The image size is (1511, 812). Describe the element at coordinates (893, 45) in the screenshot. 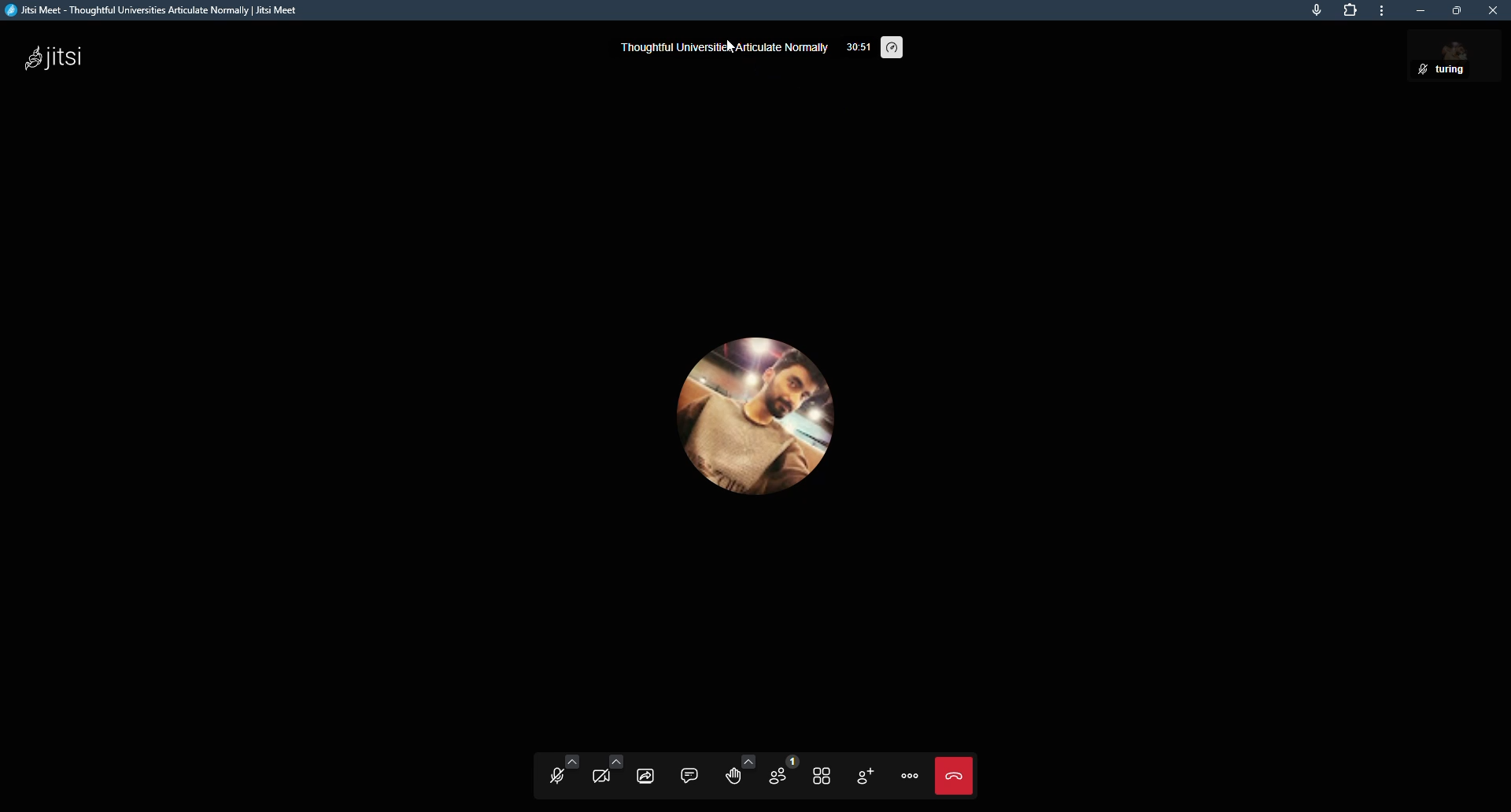

I see `performance settings` at that location.